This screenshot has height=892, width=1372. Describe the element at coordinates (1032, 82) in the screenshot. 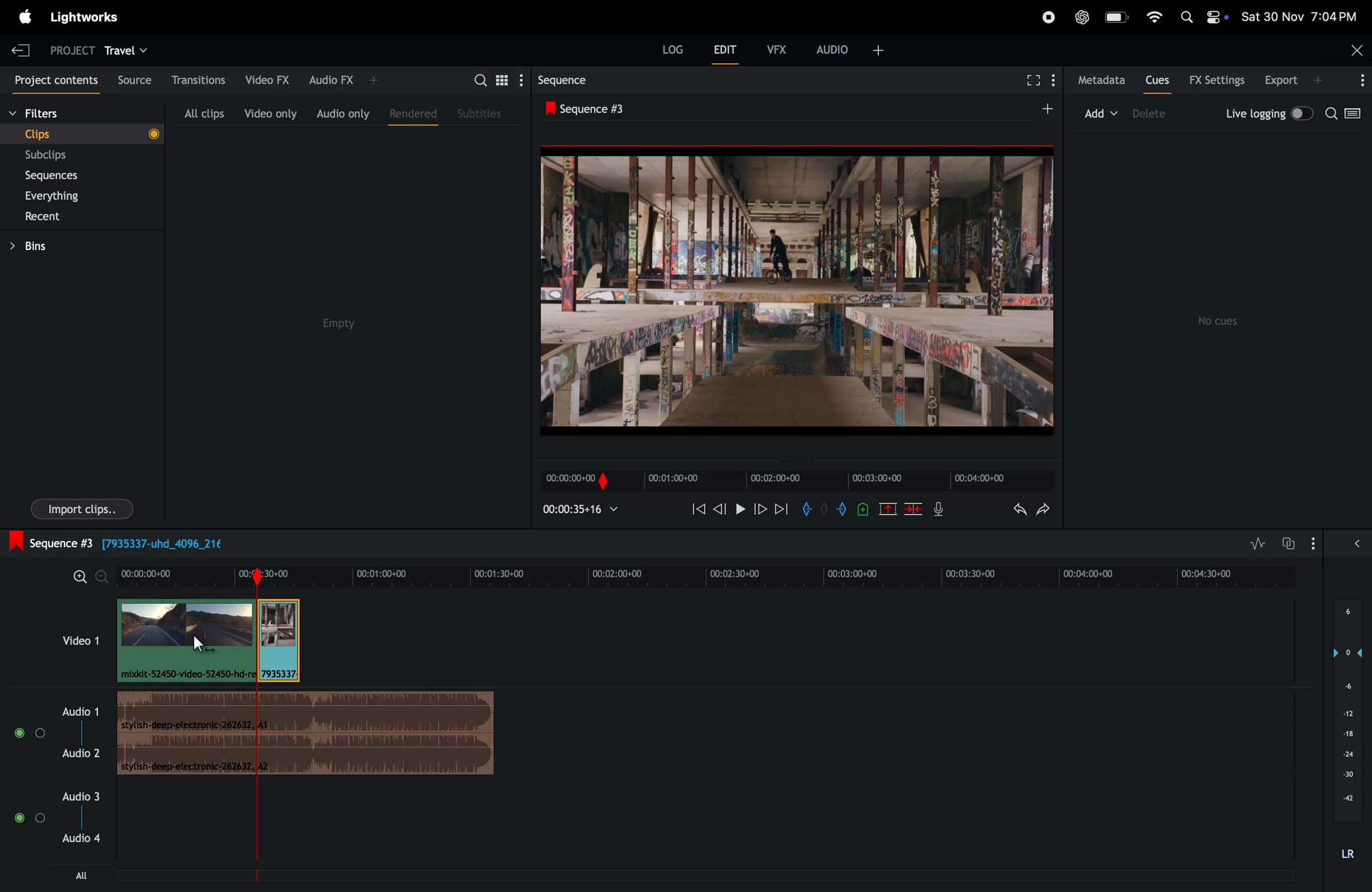

I see `full screen` at that location.